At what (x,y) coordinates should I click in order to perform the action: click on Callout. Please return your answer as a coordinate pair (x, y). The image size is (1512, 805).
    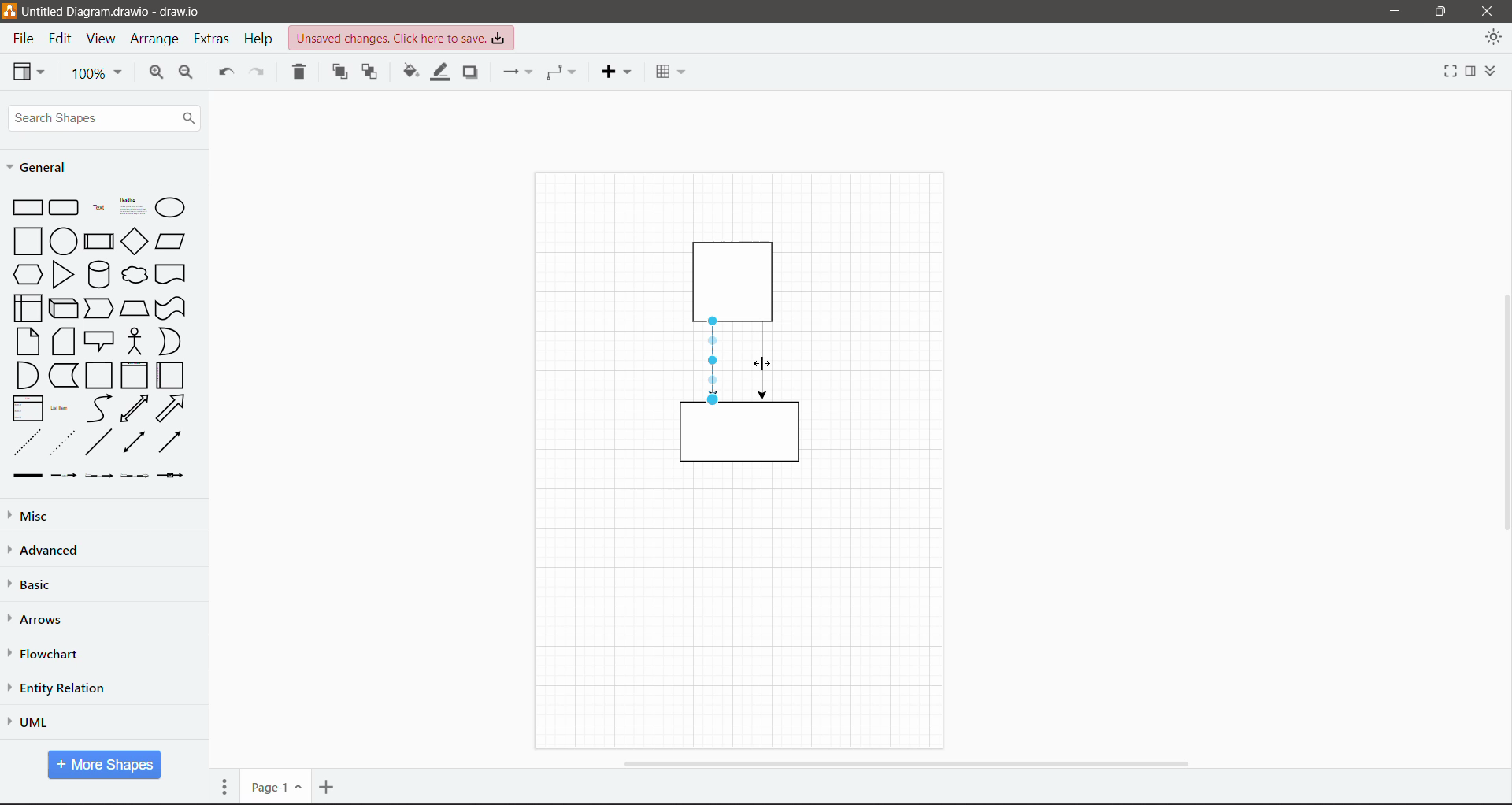
    Looking at the image, I should click on (99, 341).